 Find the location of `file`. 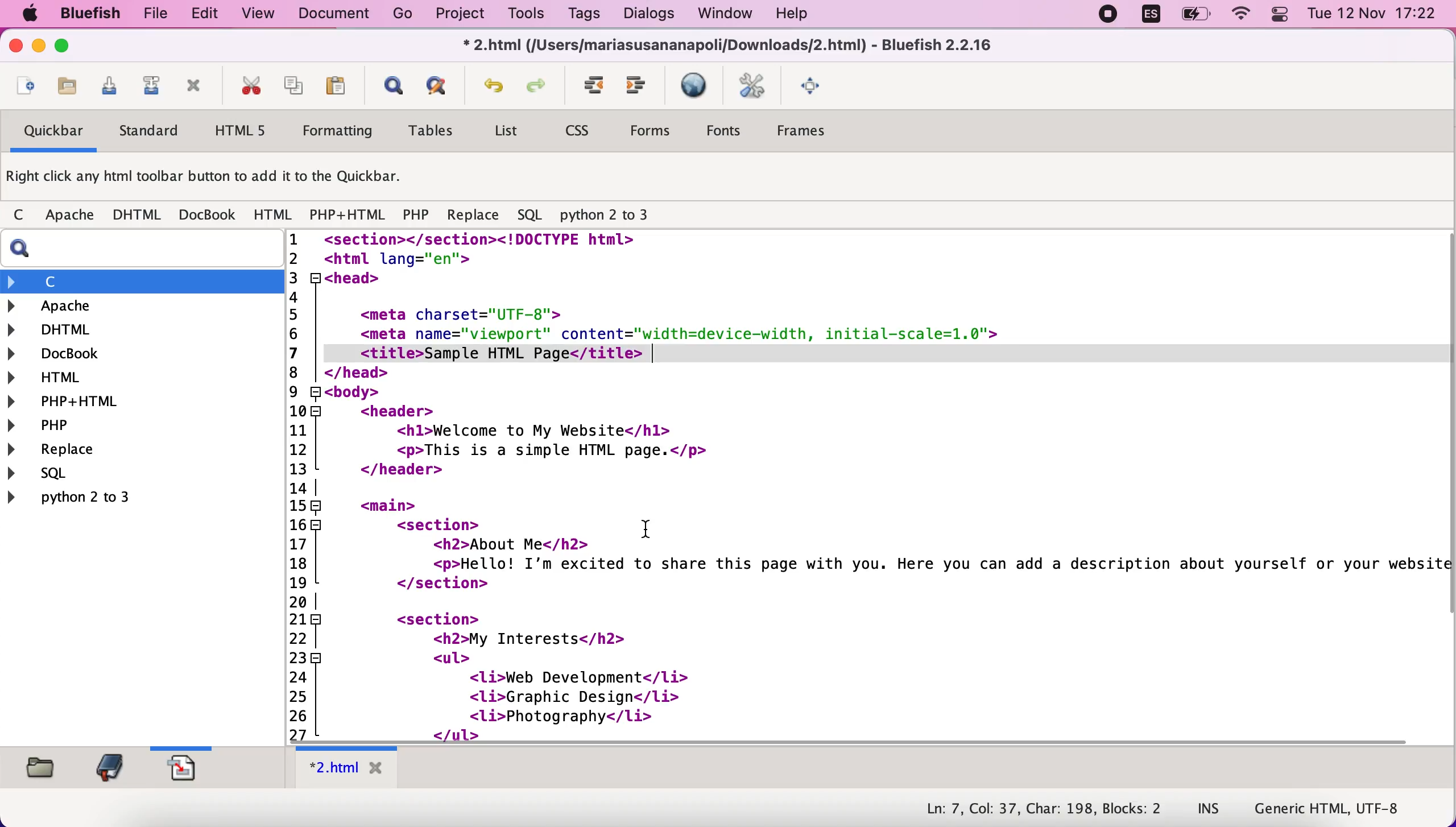

file is located at coordinates (158, 15).